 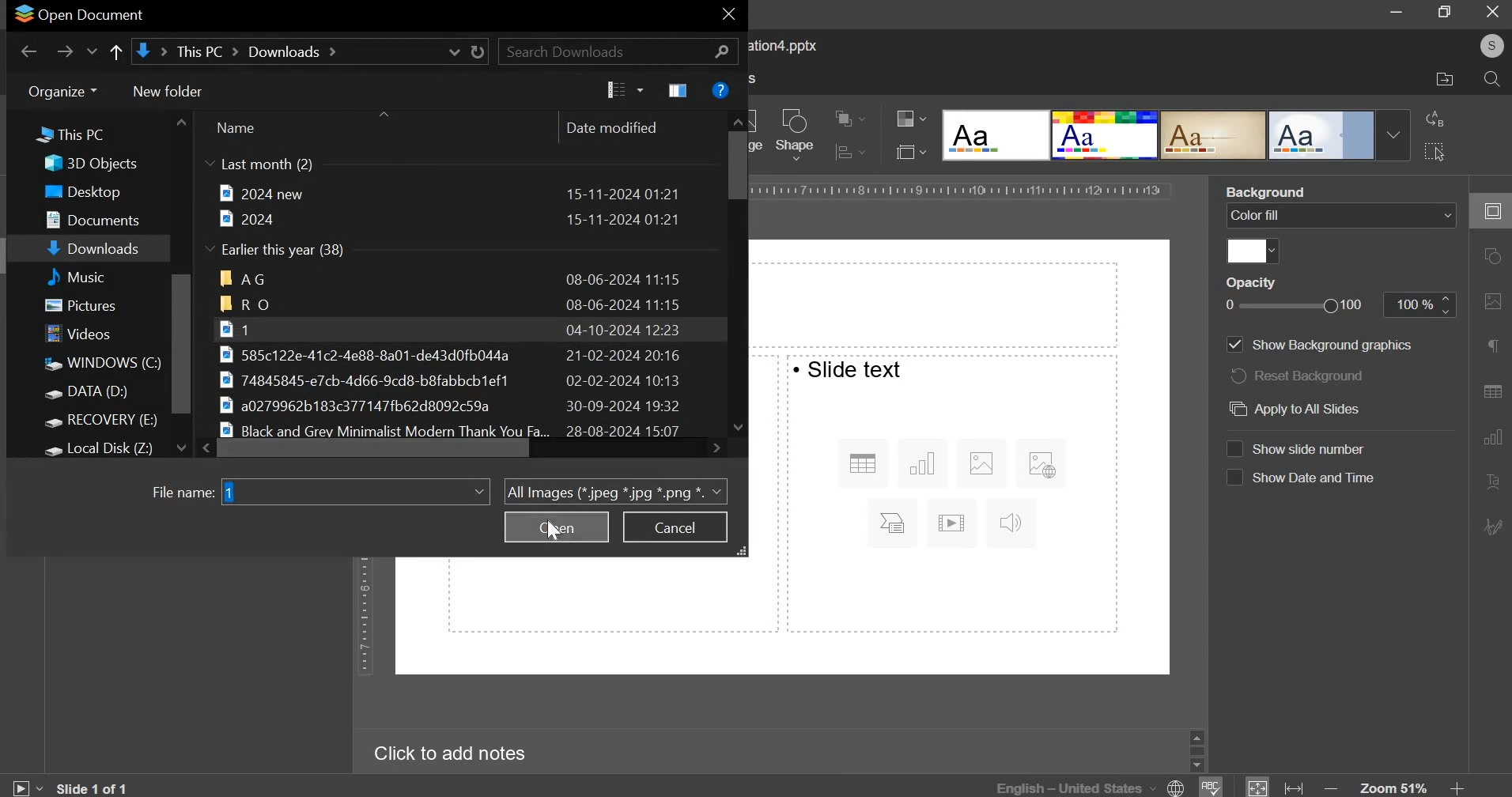 What do you see at coordinates (89, 308) in the screenshot?
I see `pictures` at bounding box center [89, 308].